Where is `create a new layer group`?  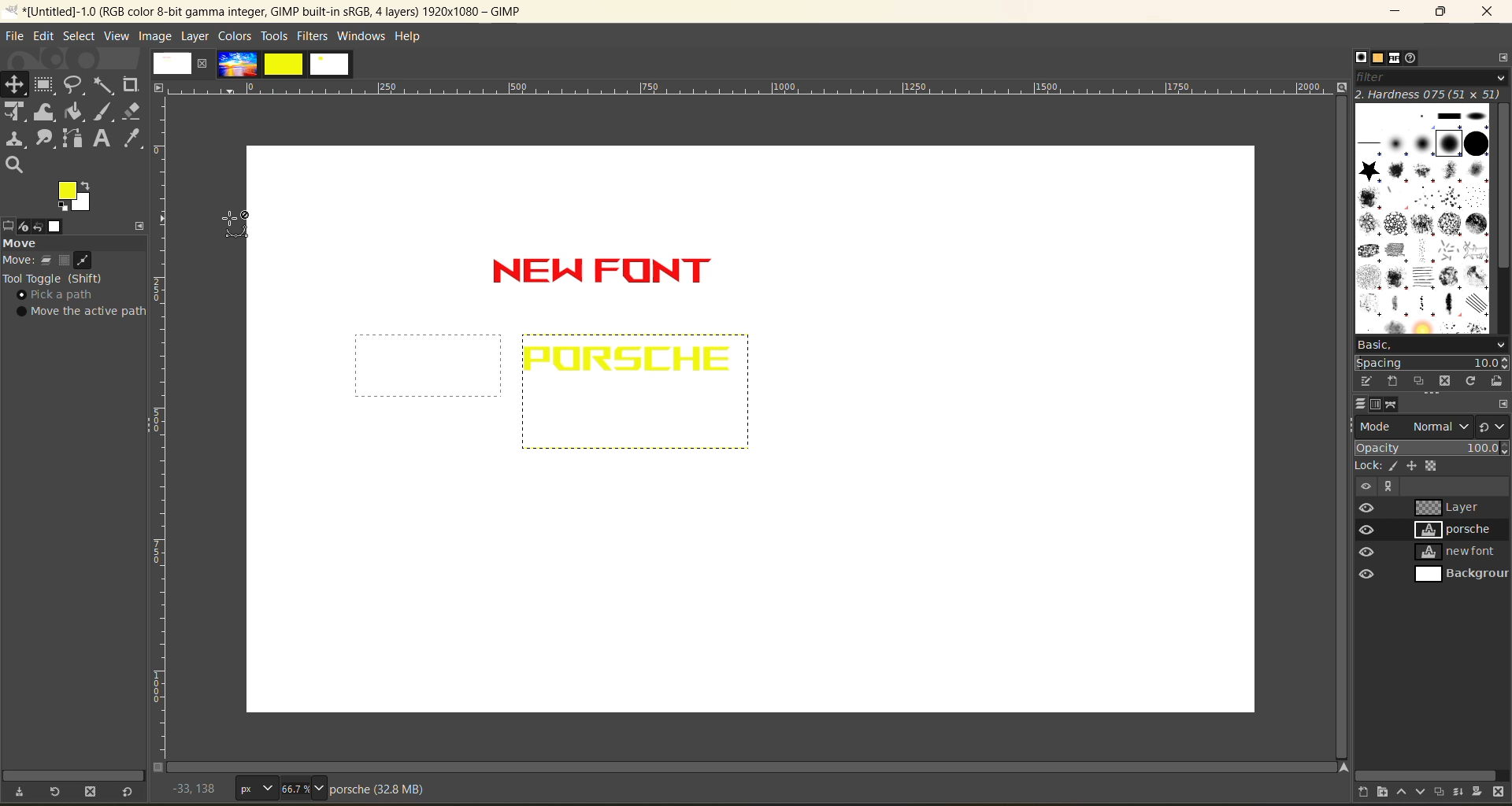 create a new layer group is located at coordinates (1378, 793).